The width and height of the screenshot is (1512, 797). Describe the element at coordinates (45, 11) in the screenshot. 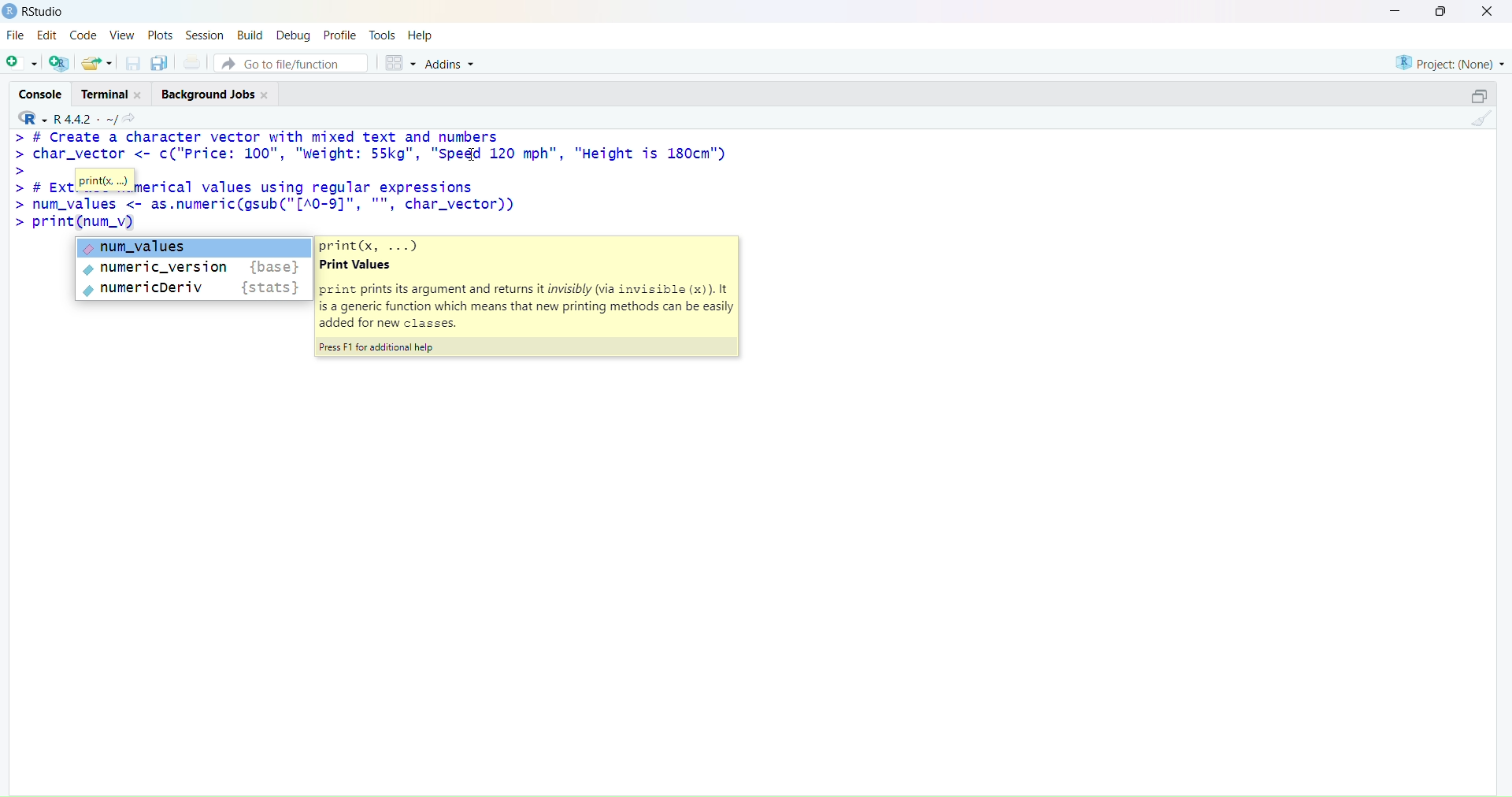

I see `RStudio` at that location.